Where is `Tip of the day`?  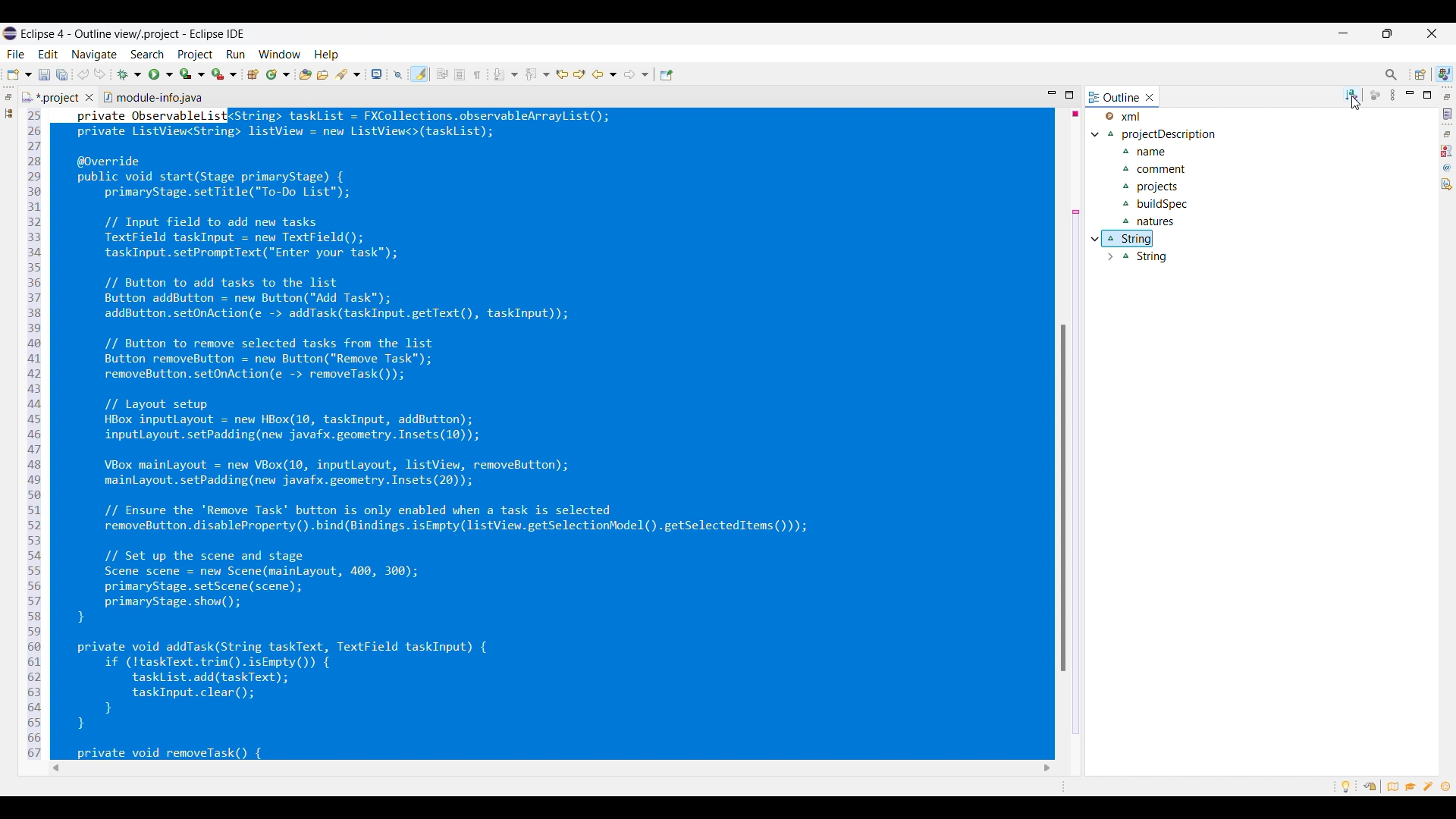
Tip of the day is located at coordinates (1346, 786).